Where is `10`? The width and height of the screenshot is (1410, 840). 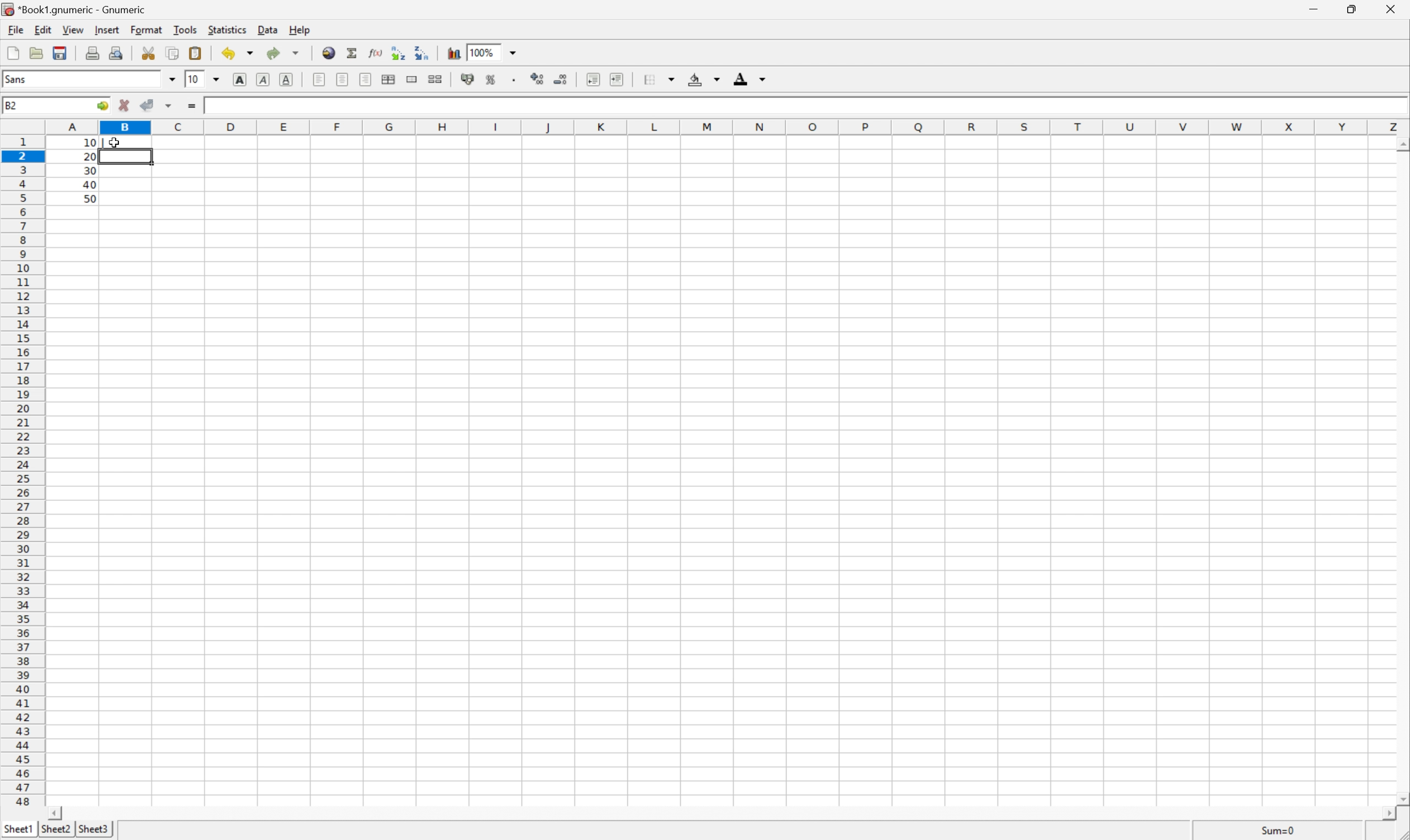 10 is located at coordinates (100, 144).